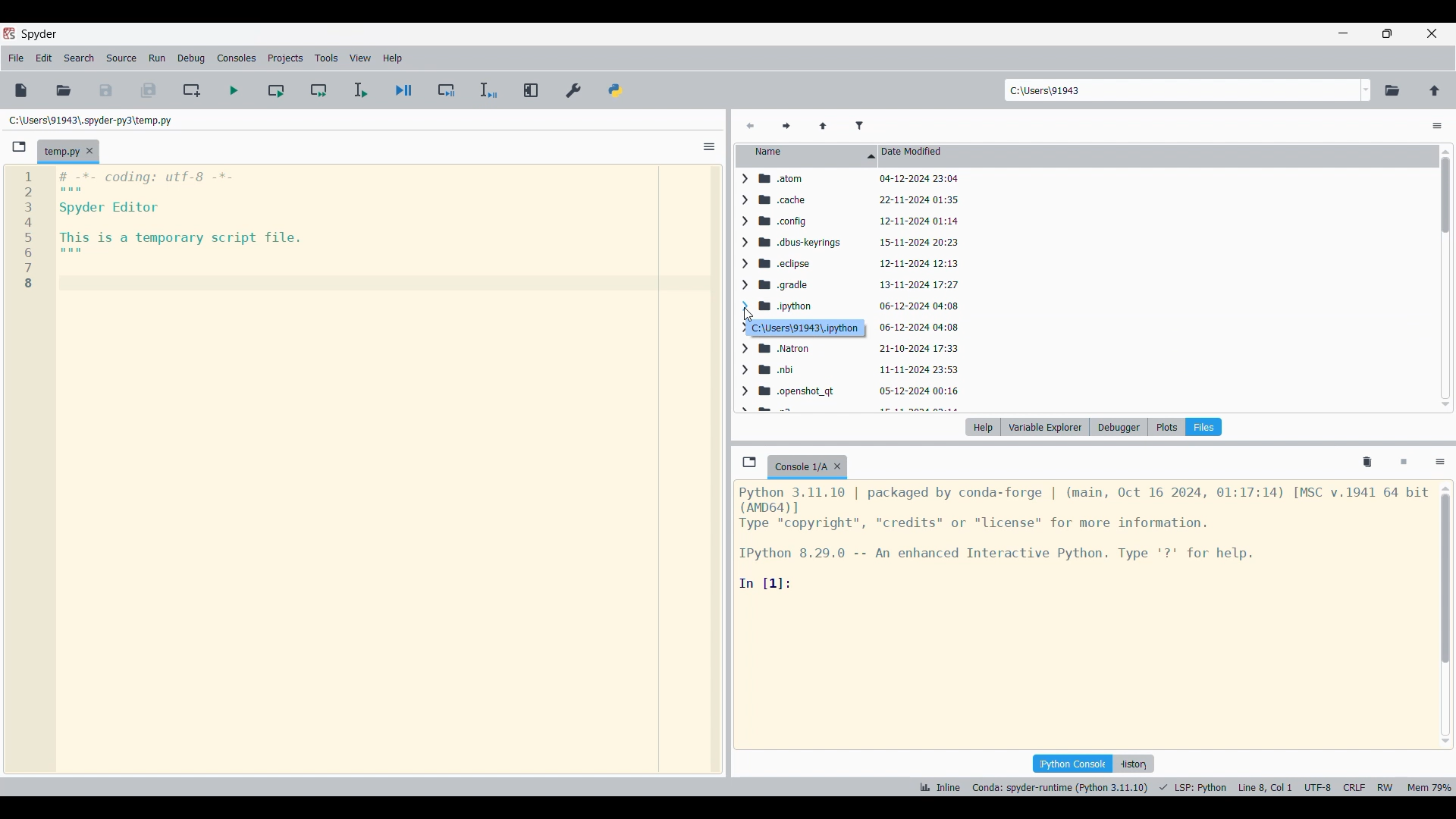 The width and height of the screenshot is (1456, 819). Describe the element at coordinates (392, 58) in the screenshot. I see `Help menu` at that location.